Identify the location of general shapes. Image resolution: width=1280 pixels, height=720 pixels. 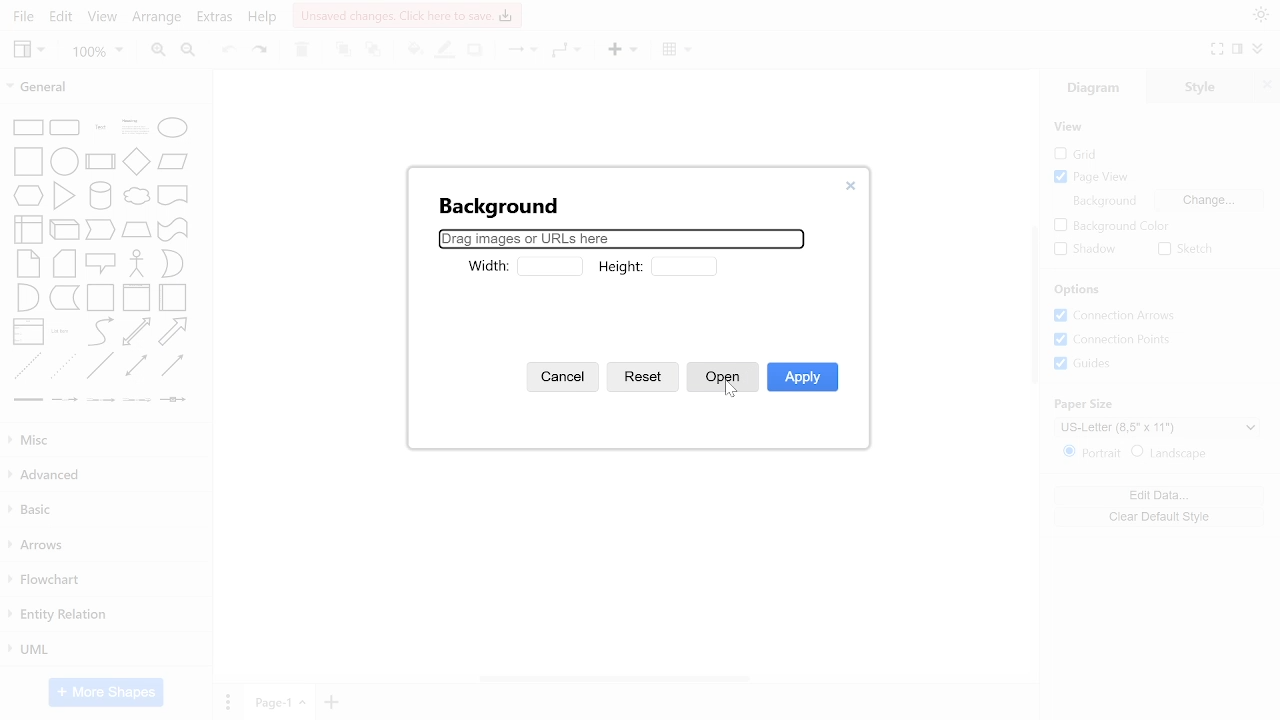
(173, 400).